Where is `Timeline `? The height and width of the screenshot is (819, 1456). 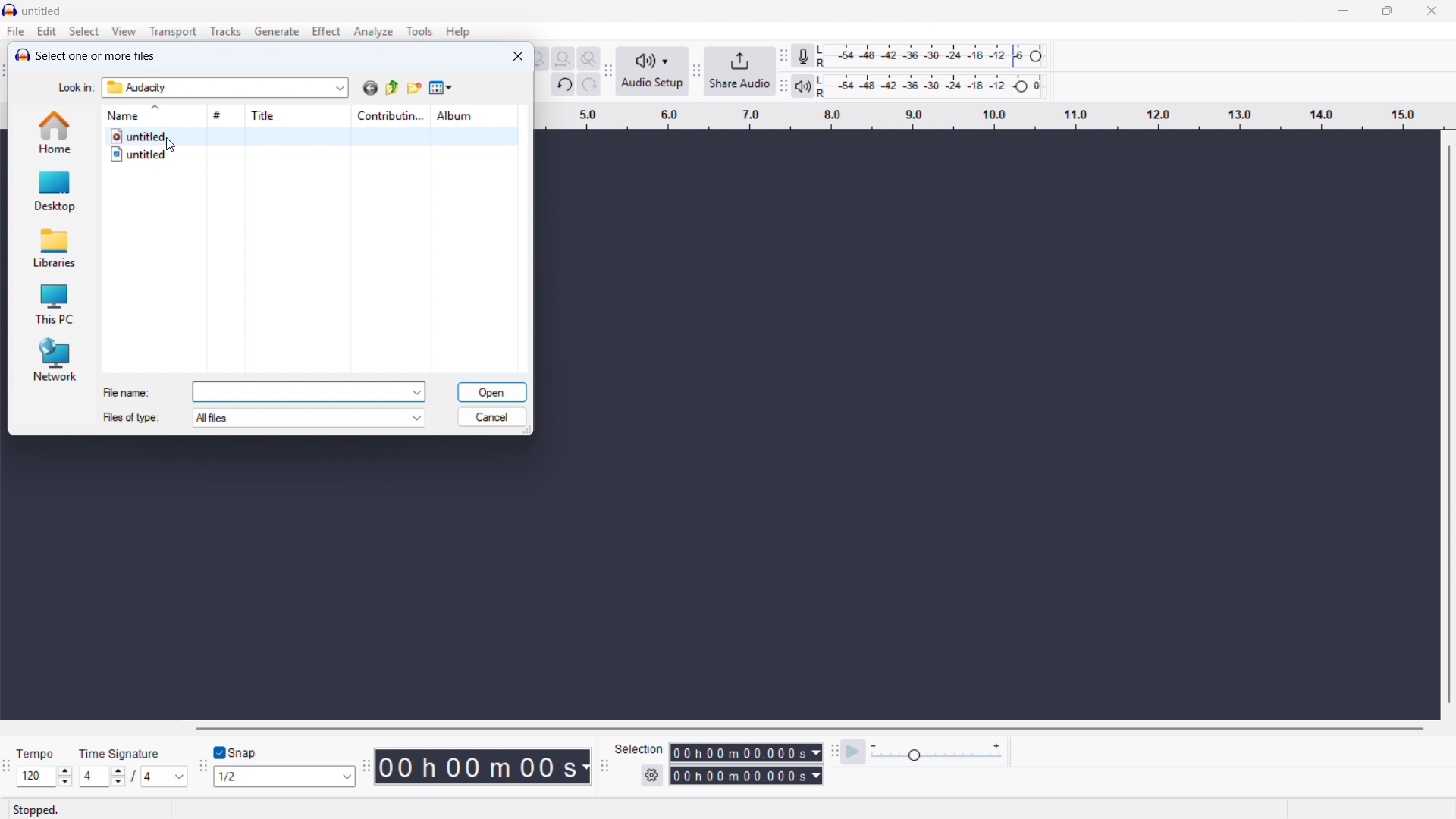
Timeline  is located at coordinates (991, 116).